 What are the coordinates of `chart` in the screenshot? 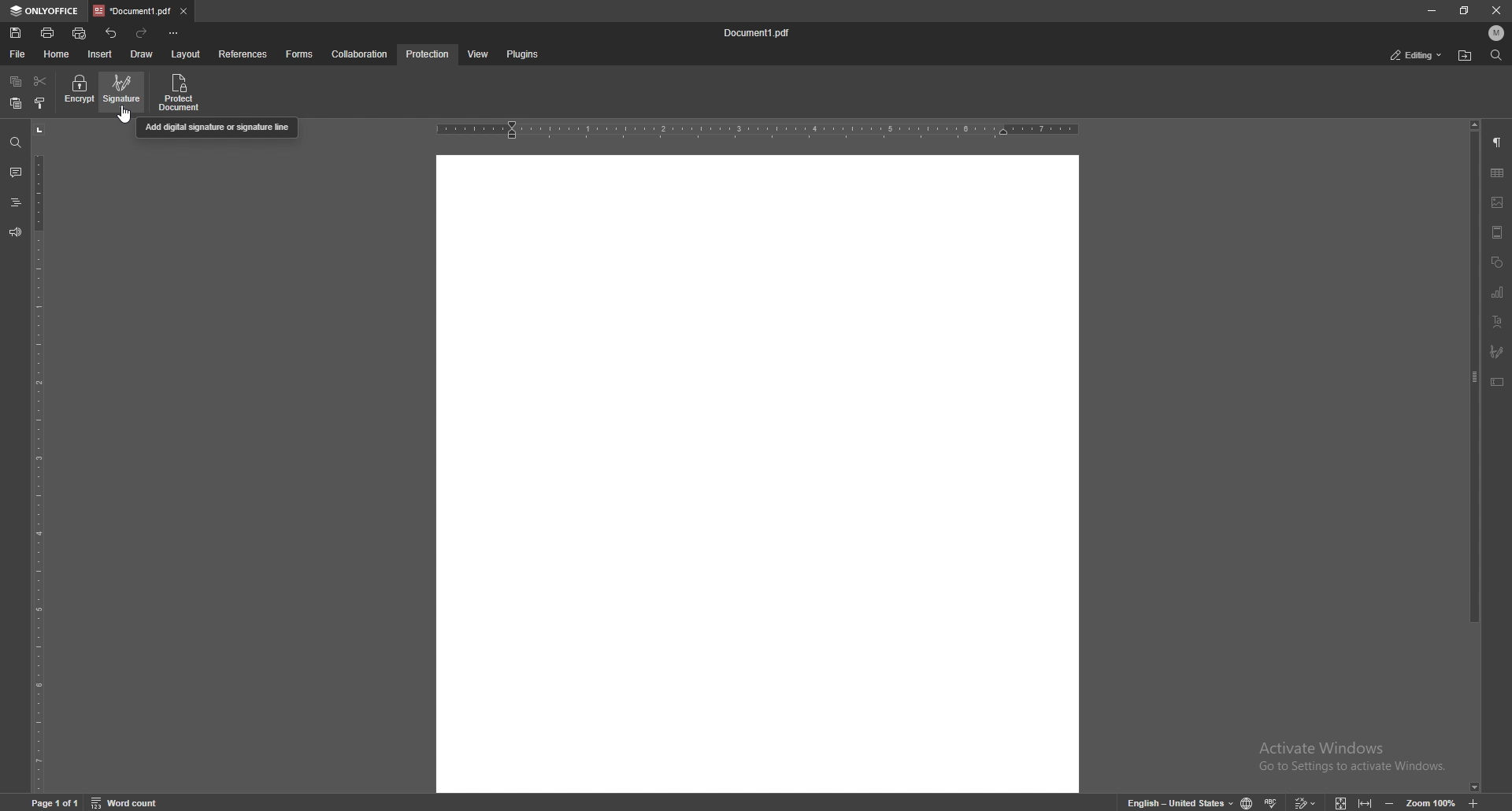 It's located at (1498, 293).